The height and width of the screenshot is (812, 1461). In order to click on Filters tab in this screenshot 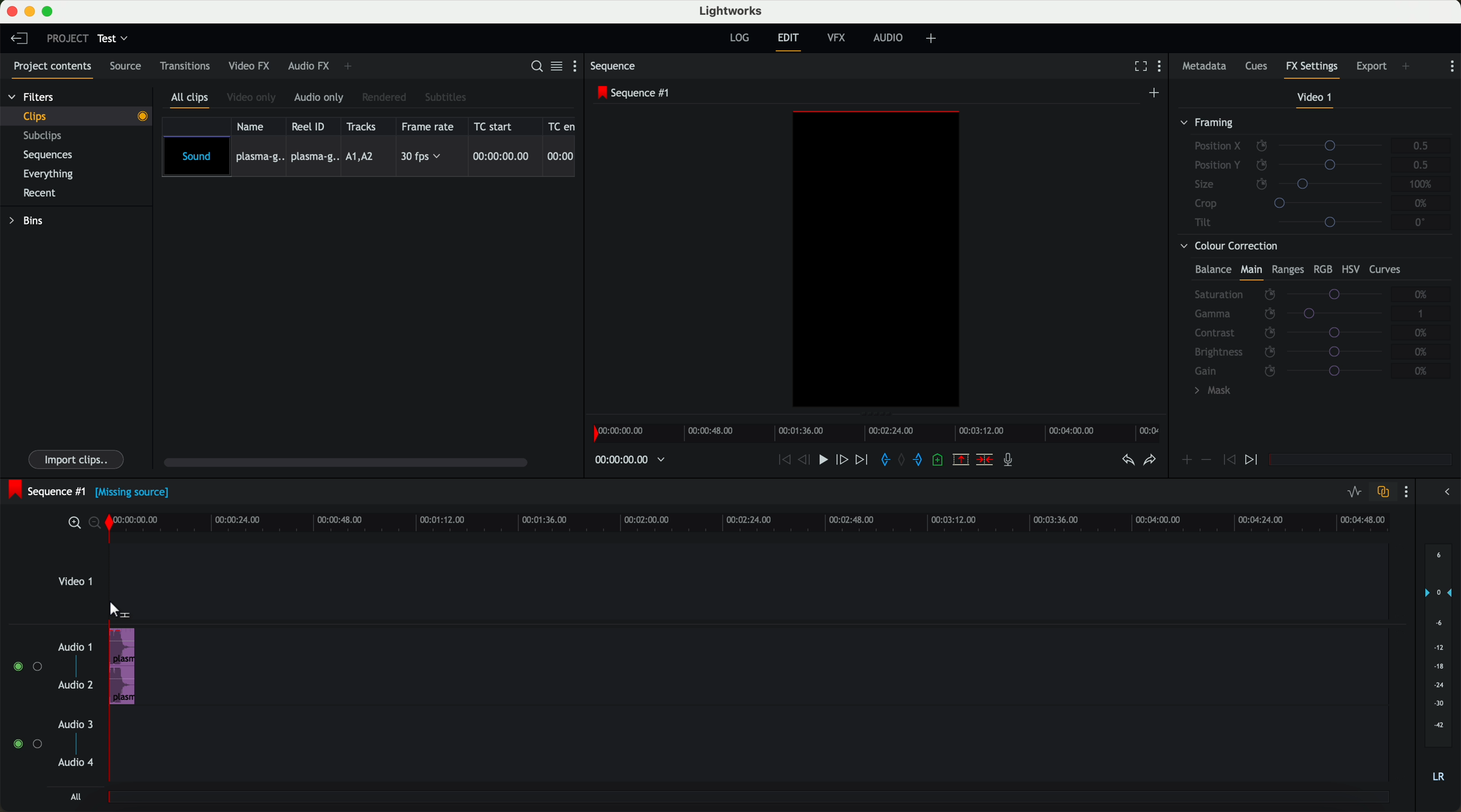, I will do `click(31, 99)`.